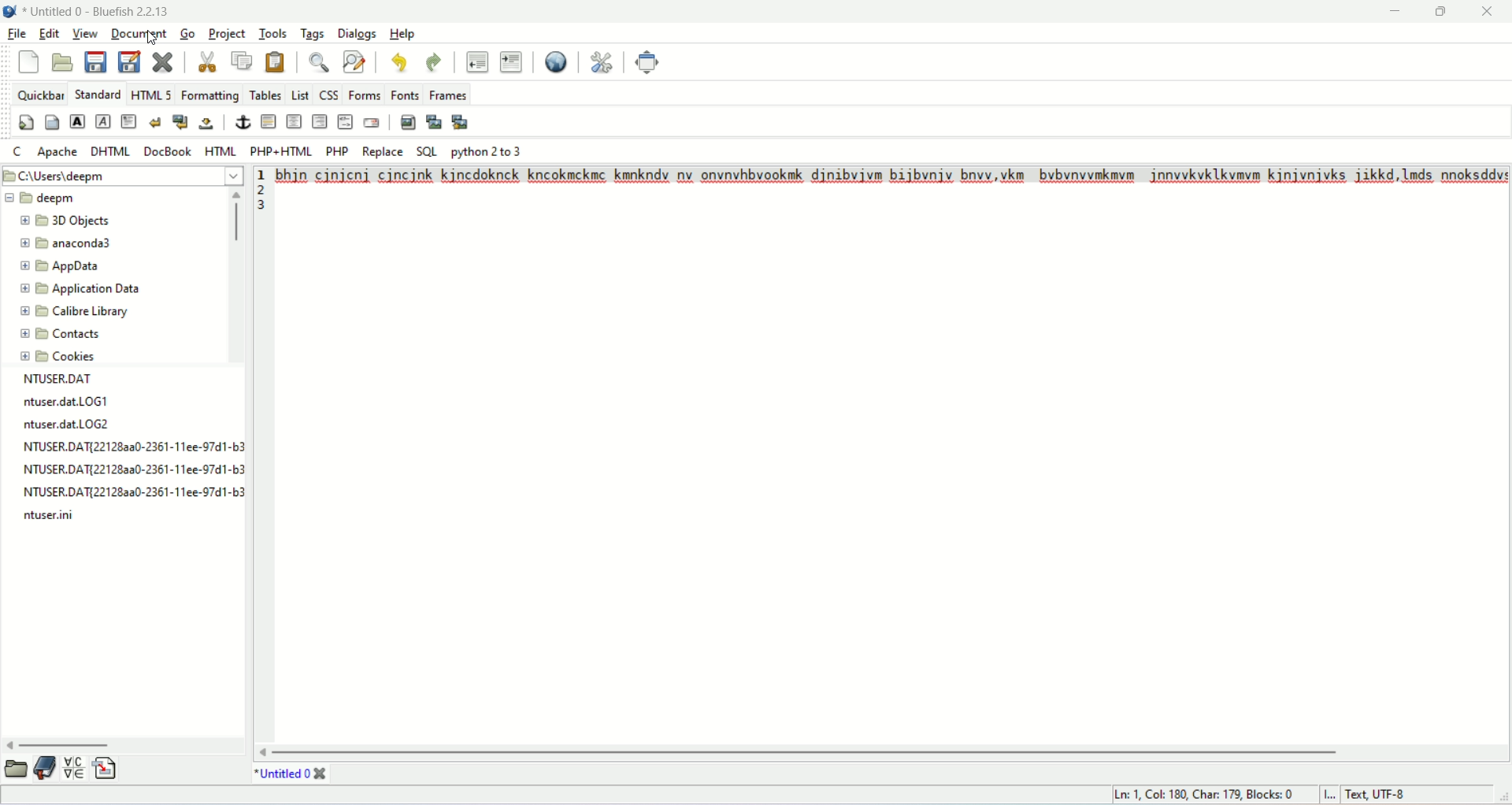 This screenshot has width=1512, height=805. What do you see at coordinates (408, 122) in the screenshot?
I see `insert image` at bounding box center [408, 122].